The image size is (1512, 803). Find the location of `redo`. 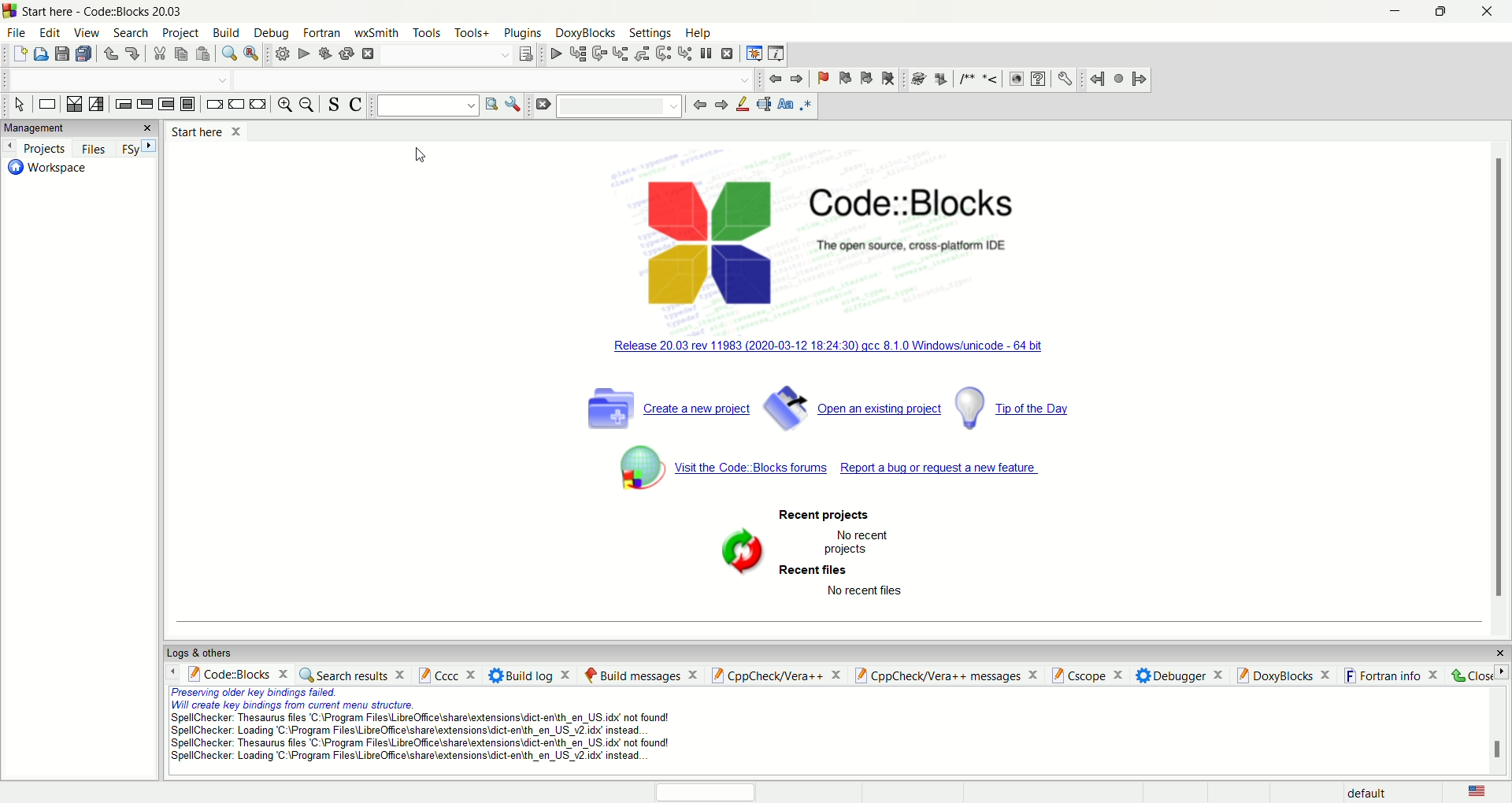

redo is located at coordinates (132, 53).